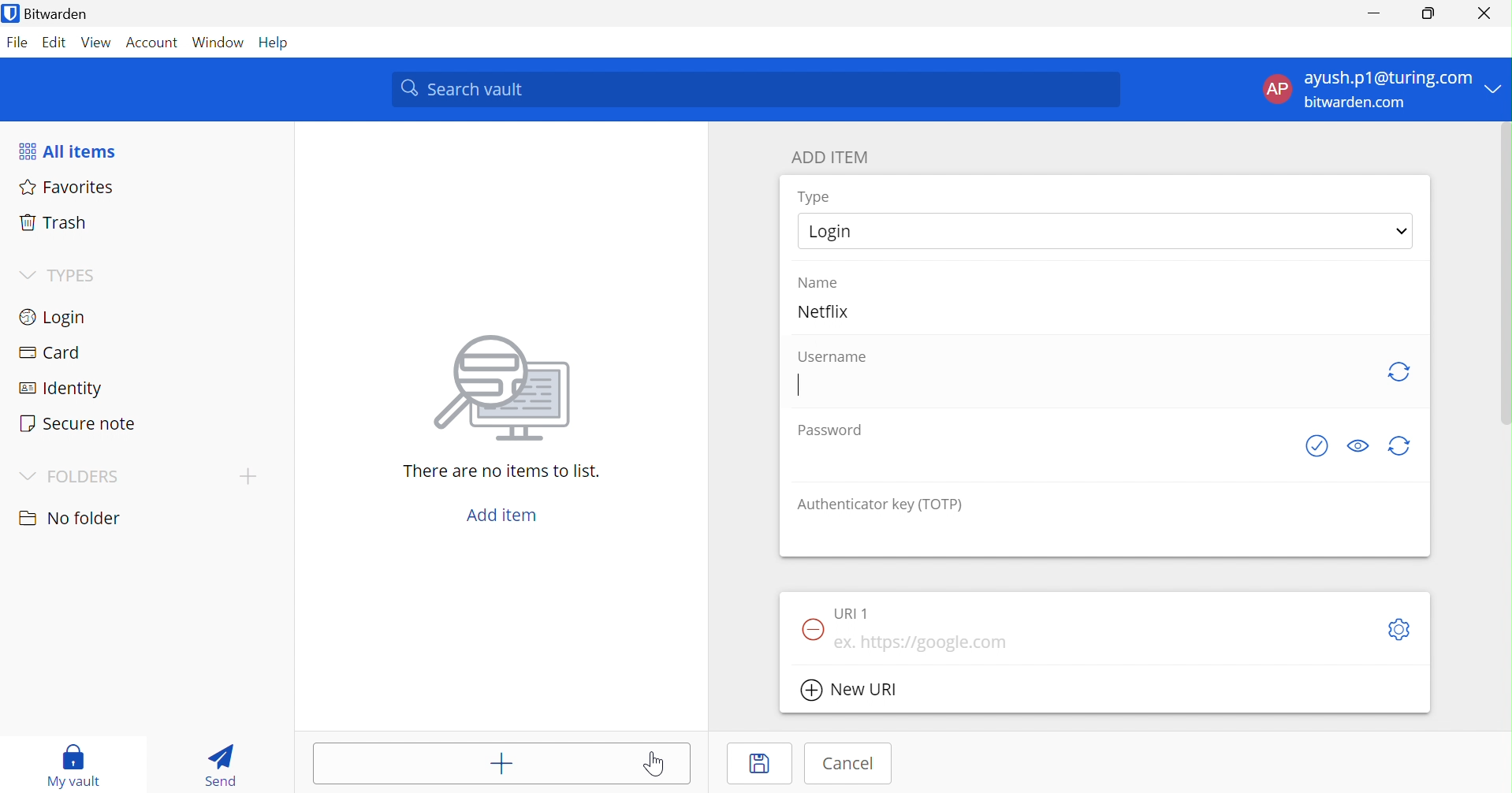 This screenshot has width=1512, height=793. Describe the element at coordinates (1495, 87) in the screenshot. I see `Drop down` at that location.